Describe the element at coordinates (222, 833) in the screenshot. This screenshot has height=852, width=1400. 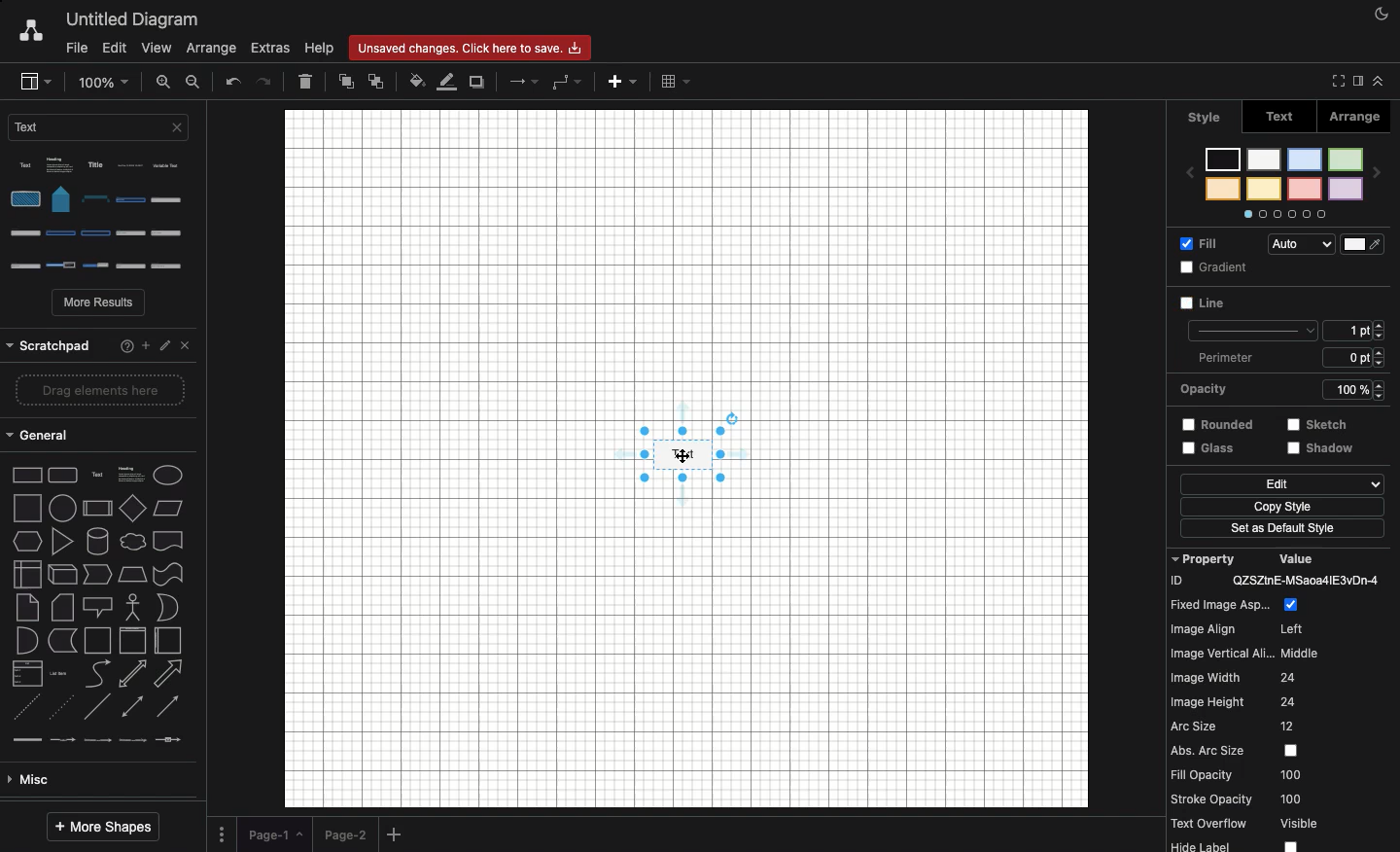
I see `Options` at that location.